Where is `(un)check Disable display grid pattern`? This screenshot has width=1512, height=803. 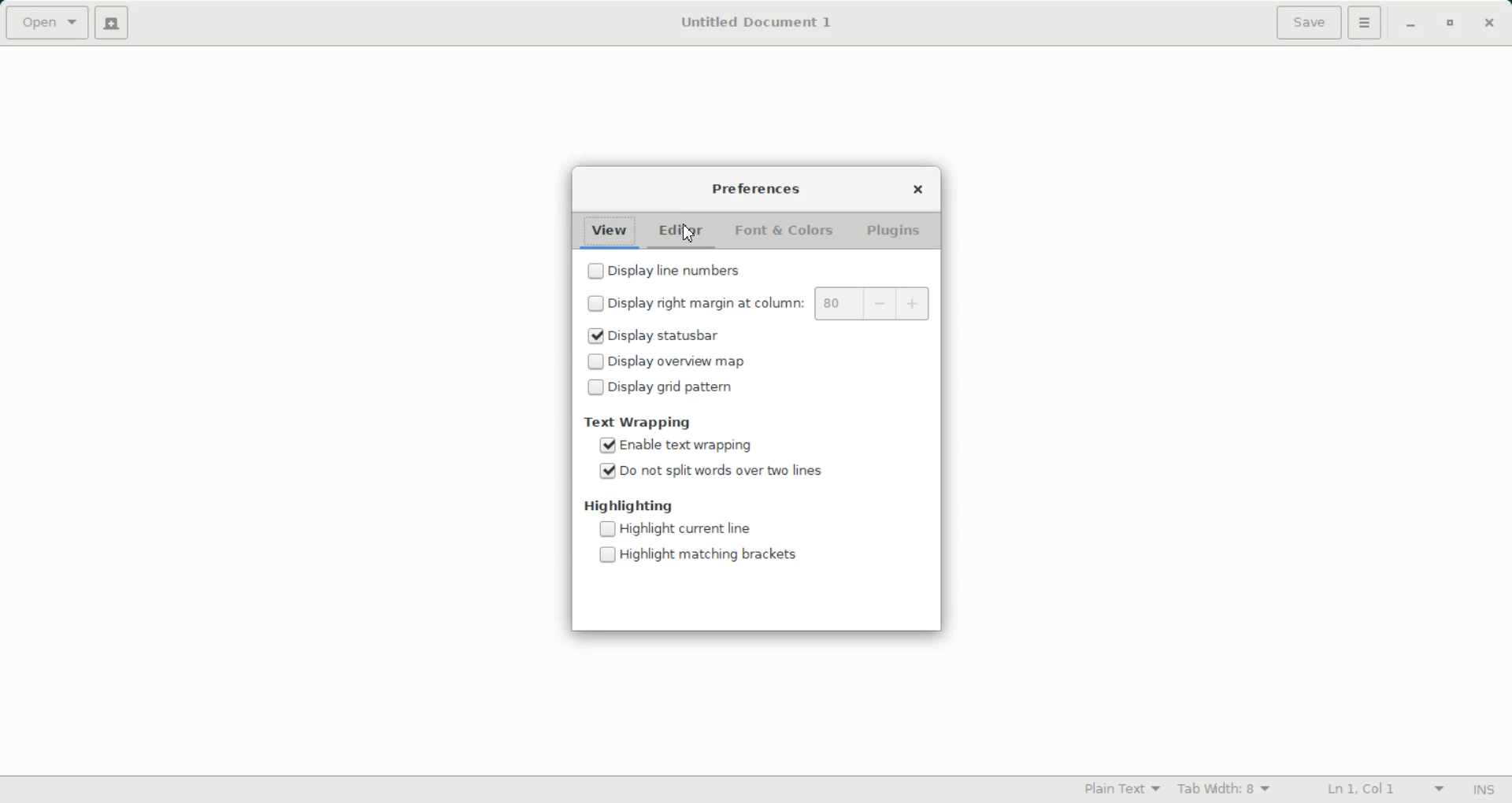
(un)check Disable display grid pattern is located at coordinates (756, 387).